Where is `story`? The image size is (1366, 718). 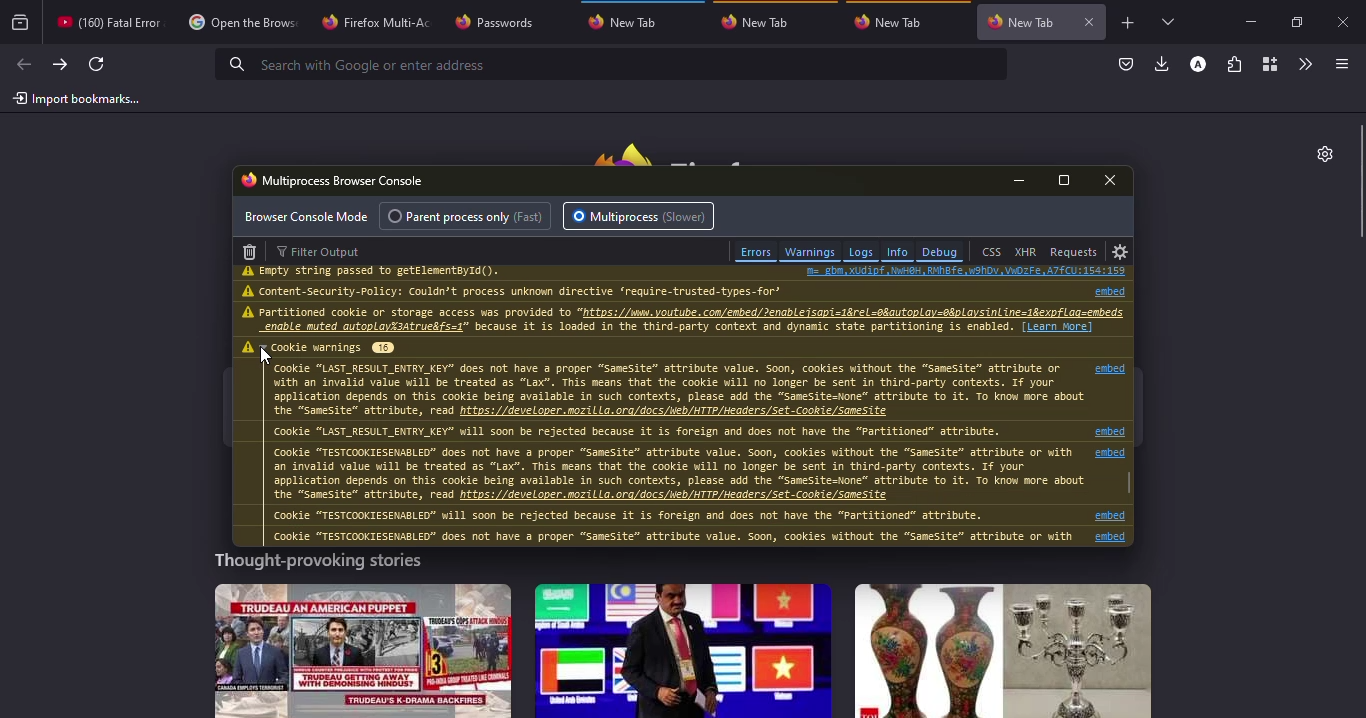
story is located at coordinates (683, 650).